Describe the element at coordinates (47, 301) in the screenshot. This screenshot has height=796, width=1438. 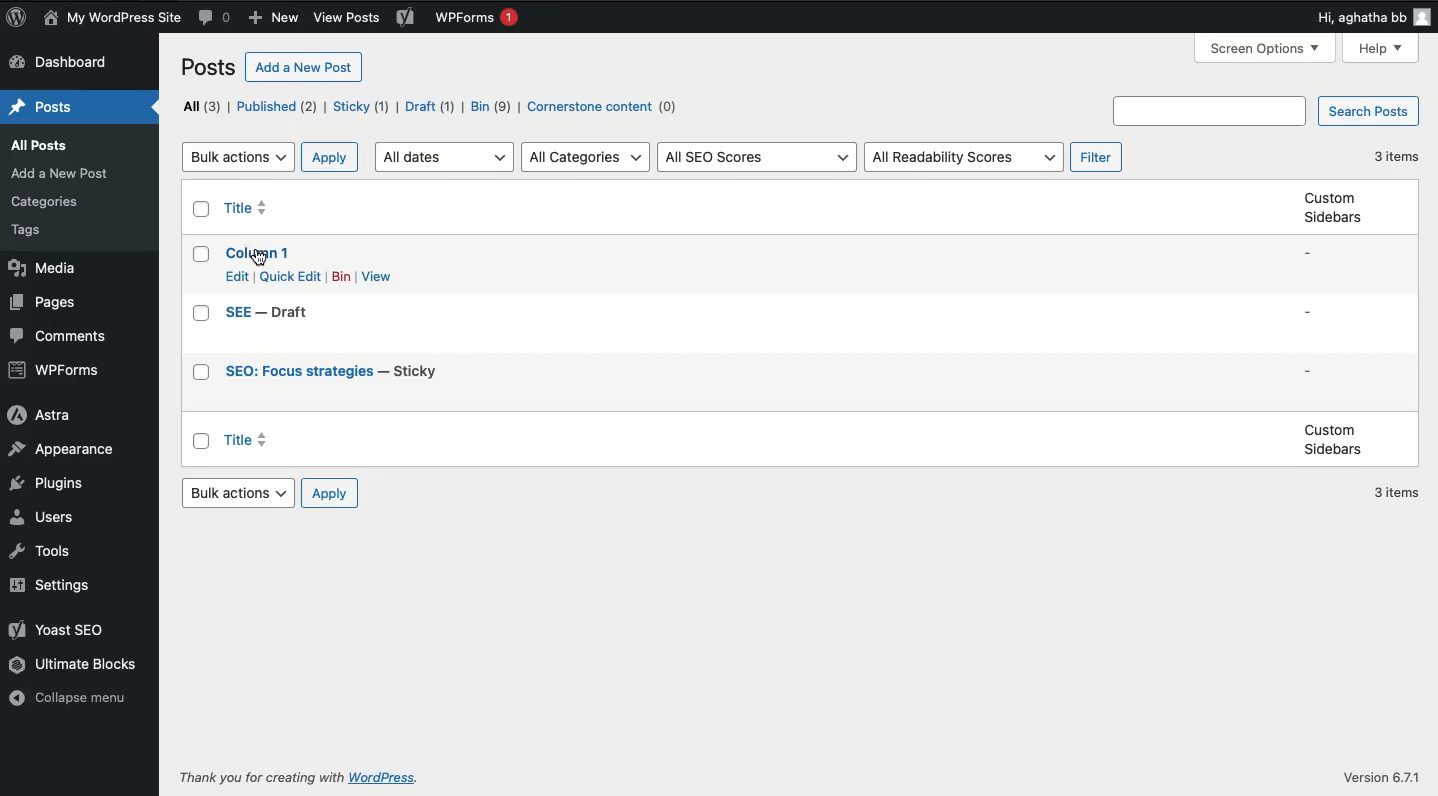
I see `Pages` at that location.